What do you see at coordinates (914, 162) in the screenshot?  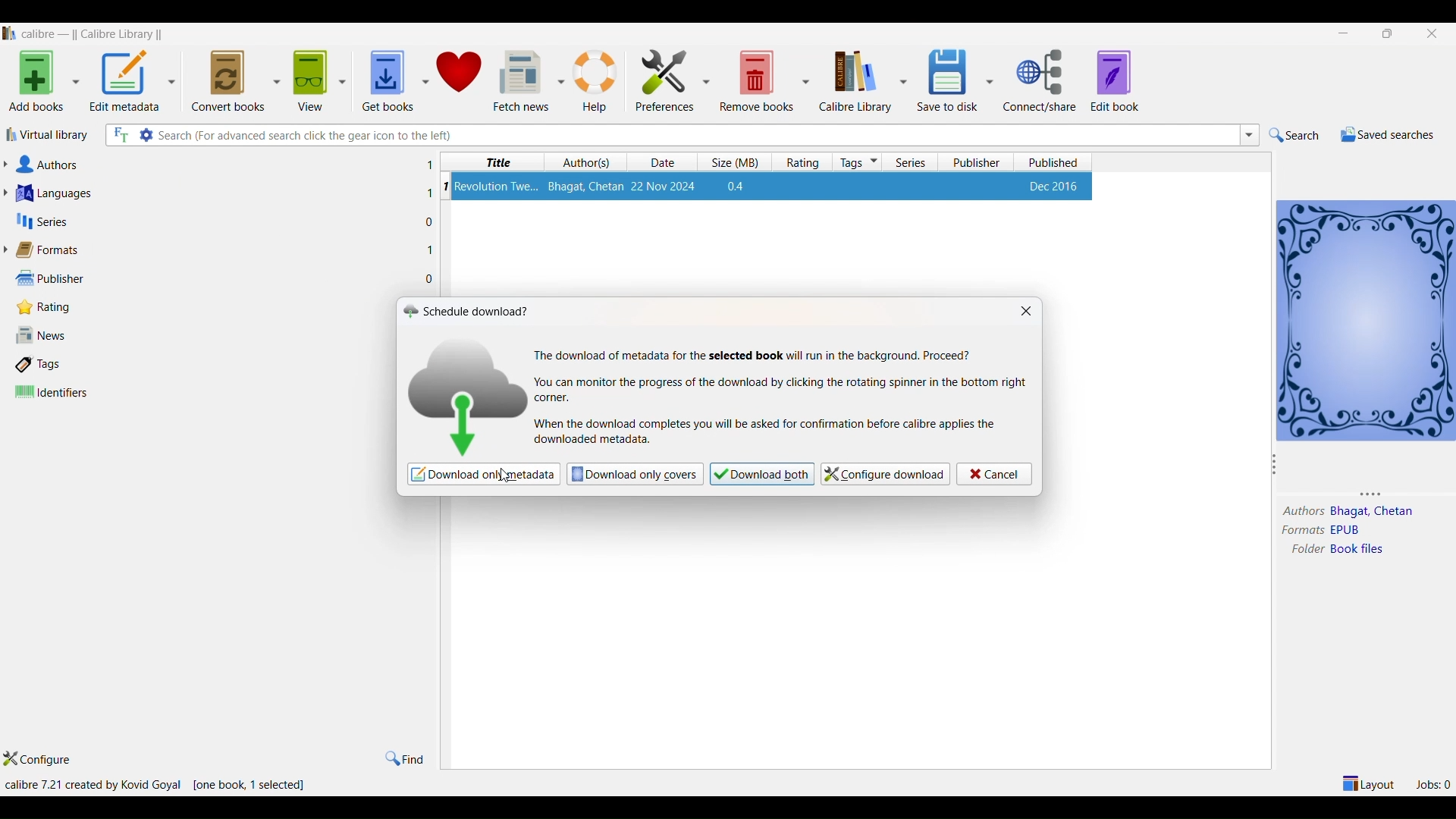 I see `series` at bounding box center [914, 162].